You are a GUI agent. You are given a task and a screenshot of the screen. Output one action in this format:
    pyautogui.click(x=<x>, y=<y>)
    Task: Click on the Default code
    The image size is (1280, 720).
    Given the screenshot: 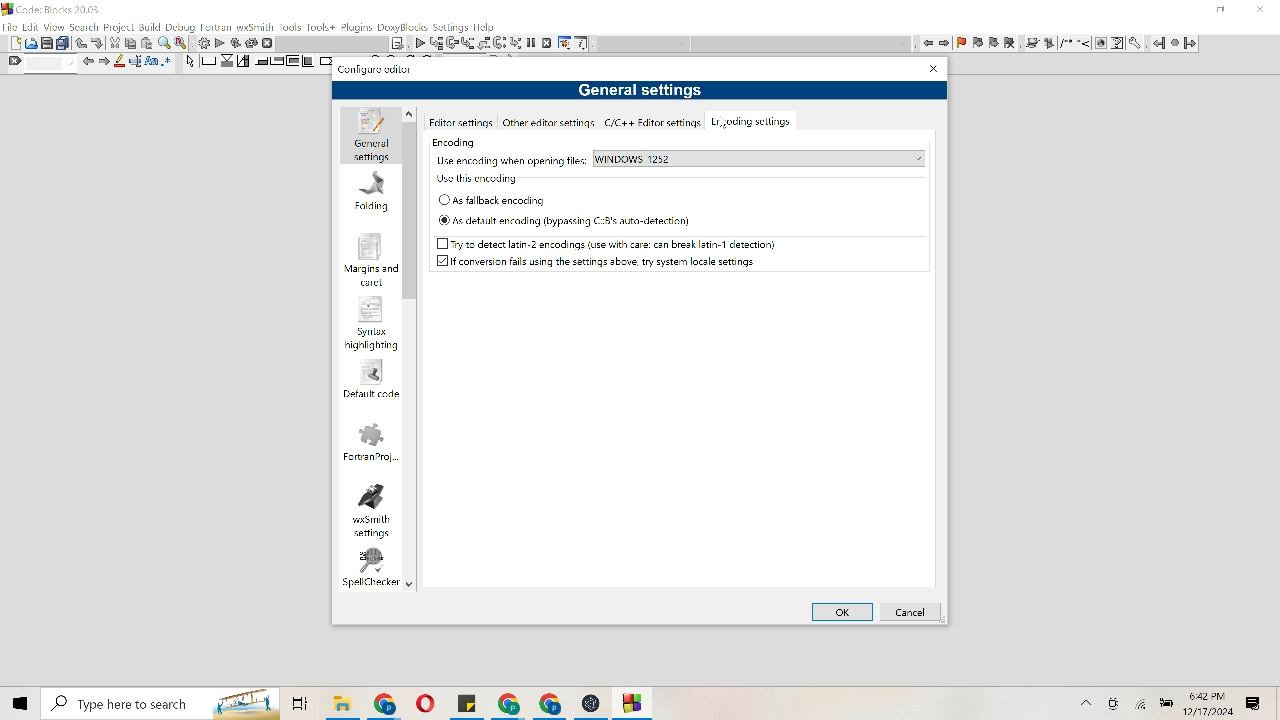 What is the action you would take?
    pyautogui.click(x=370, y=377)
    